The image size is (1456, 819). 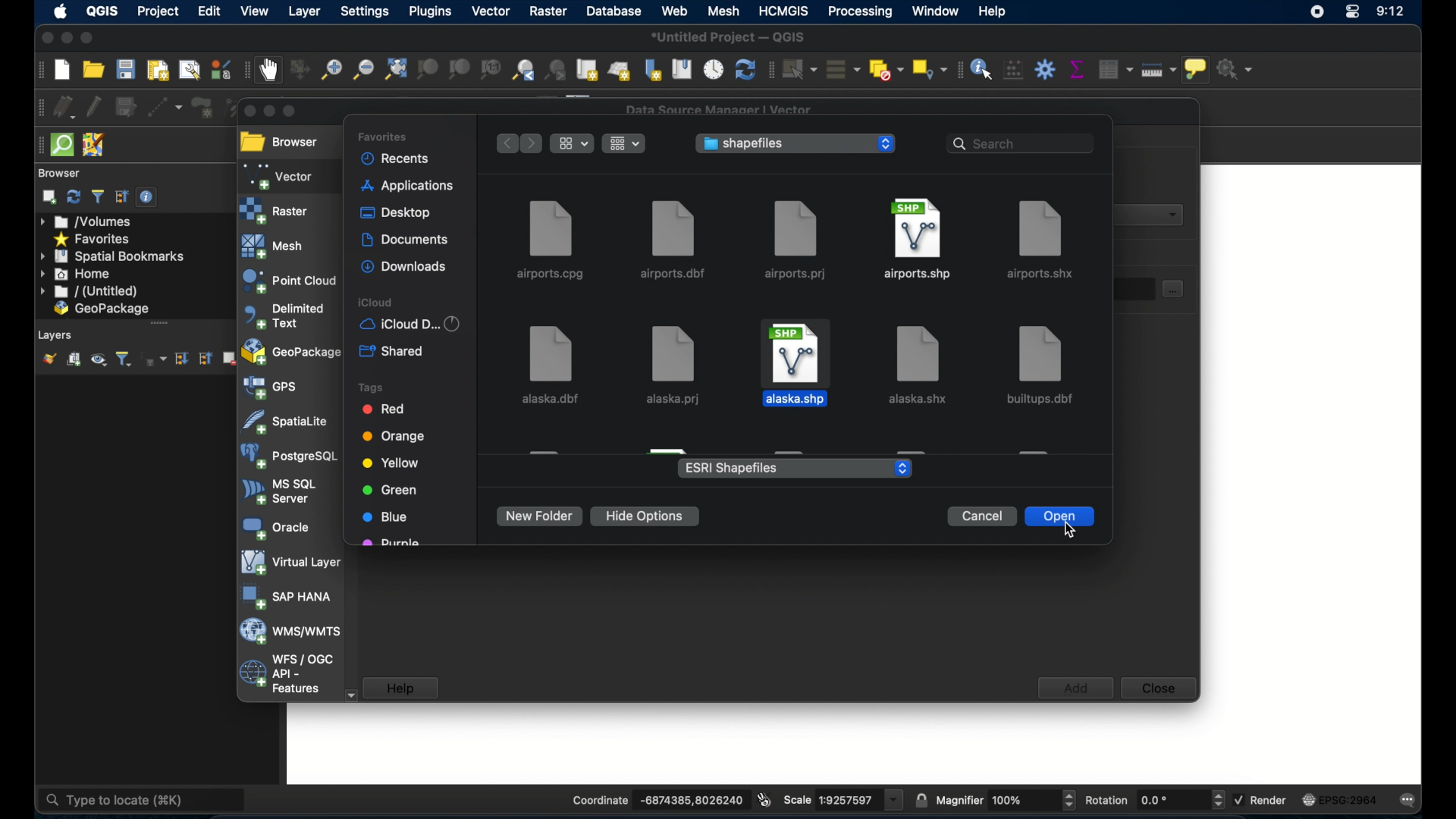 I want to click on collapse all, so click(x=206, y=360).